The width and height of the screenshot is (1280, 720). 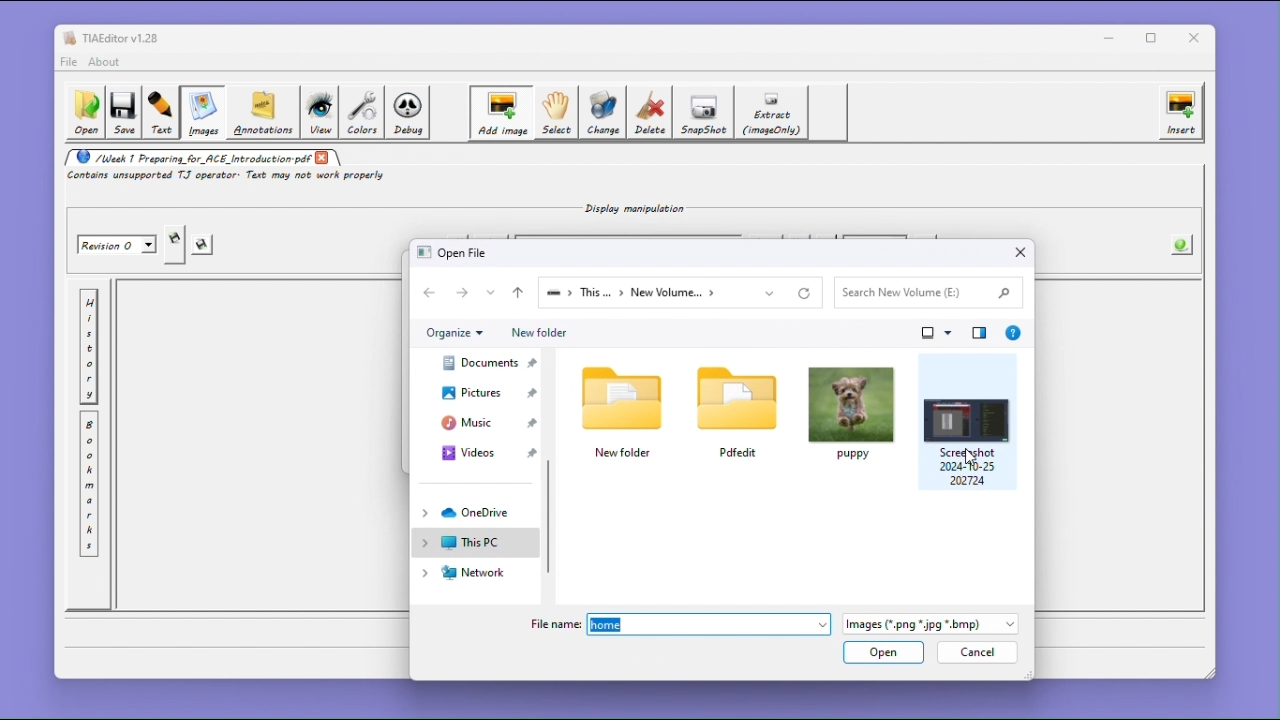 I want to click on refresh, so click(x=808, y=293).